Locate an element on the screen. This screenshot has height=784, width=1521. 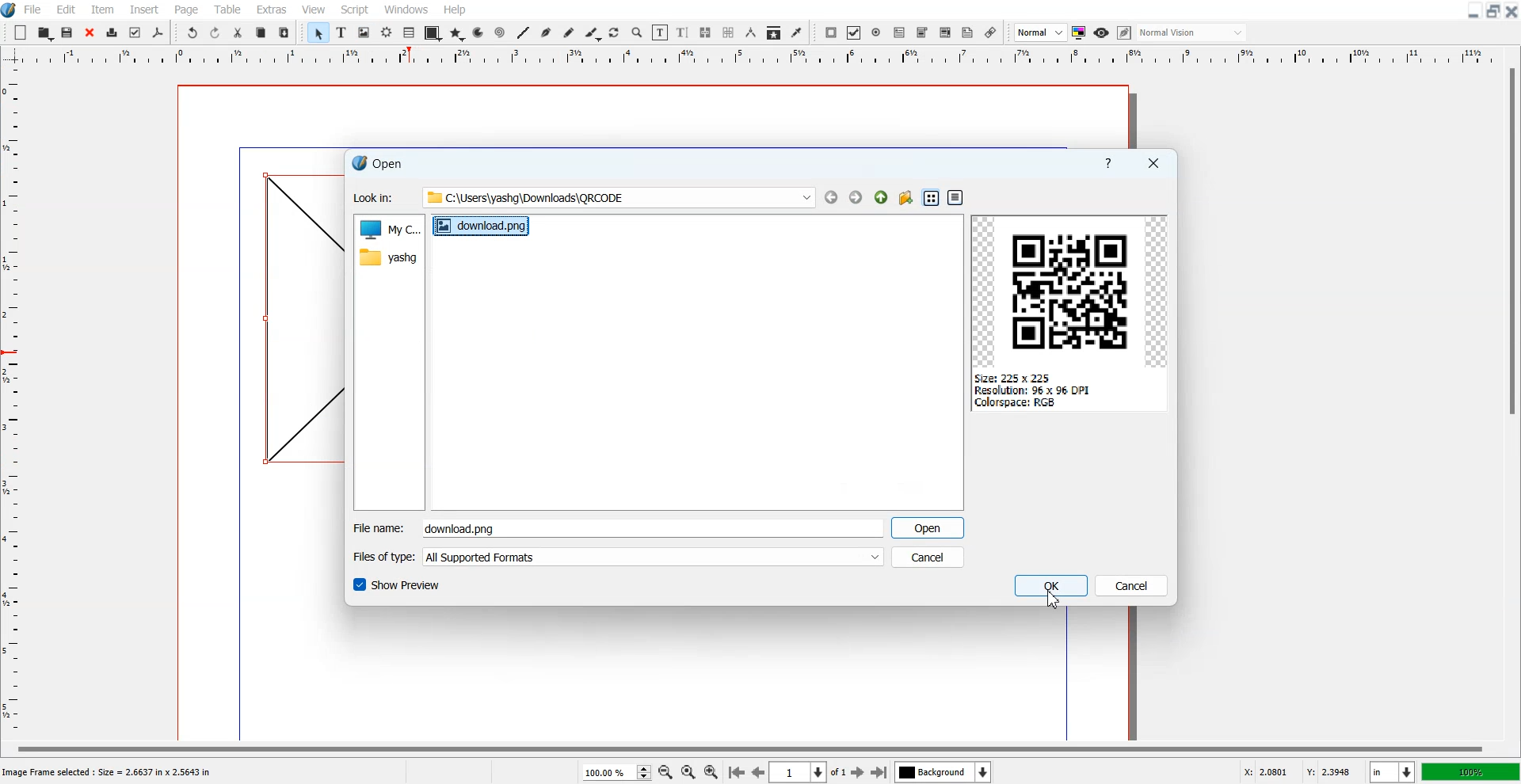
File is located at coordinates (33, 9).